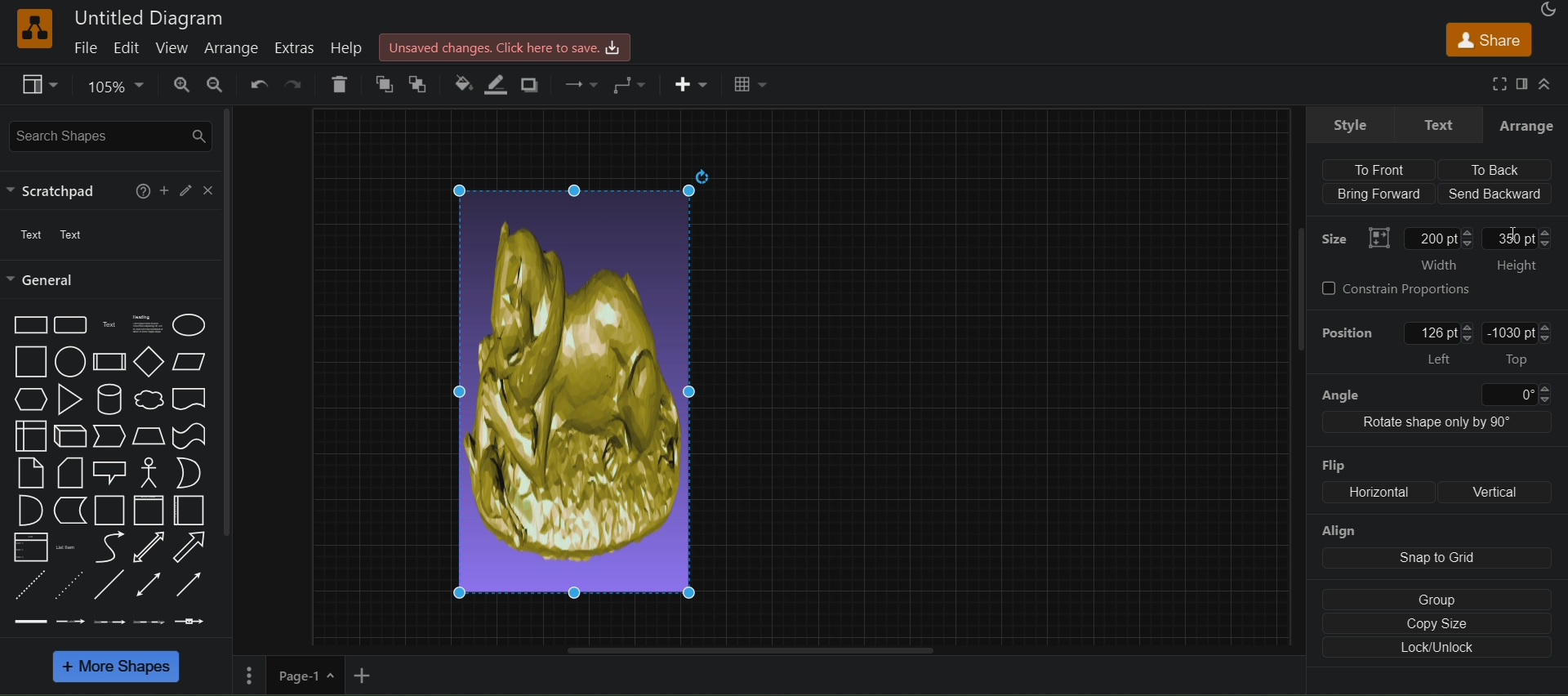  I want to click on extras, so click(295, 47).